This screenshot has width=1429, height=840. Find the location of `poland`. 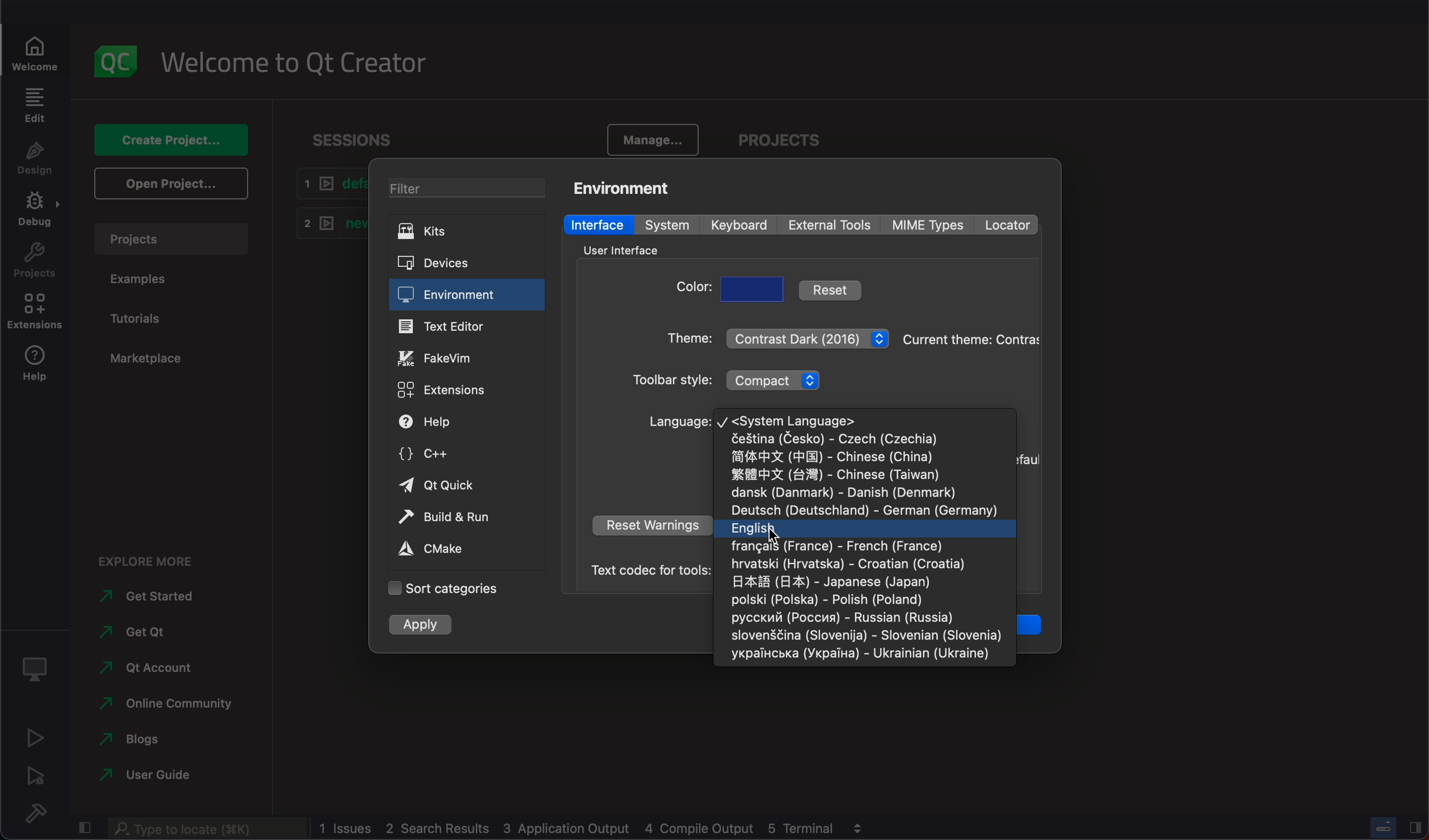

poland is located at coordinates (828, 601).